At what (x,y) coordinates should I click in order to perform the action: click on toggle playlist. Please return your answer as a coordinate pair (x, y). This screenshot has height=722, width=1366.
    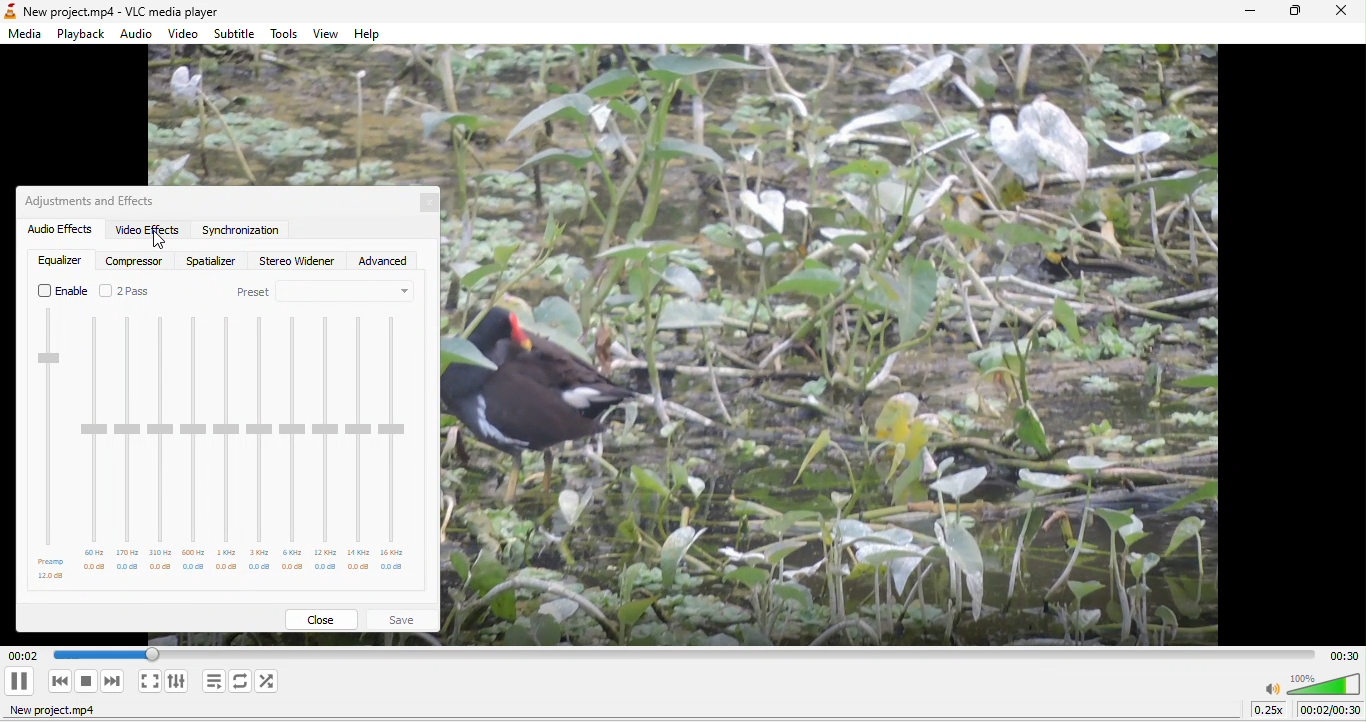
    Looking at the image, I should click on (215, 680).